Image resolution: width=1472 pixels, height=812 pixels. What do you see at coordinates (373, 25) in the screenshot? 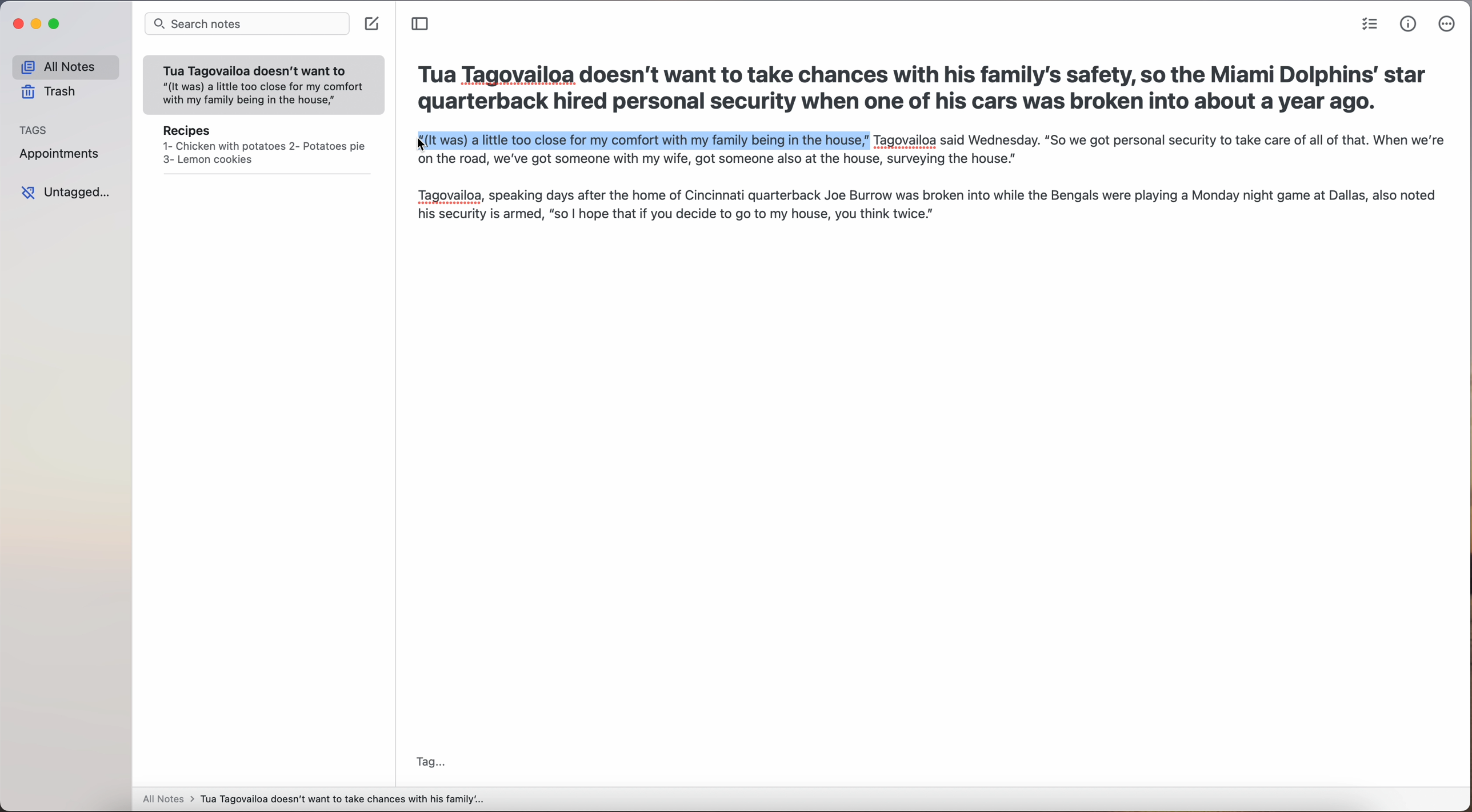
I see `create note` at bounding box center [373, 25].